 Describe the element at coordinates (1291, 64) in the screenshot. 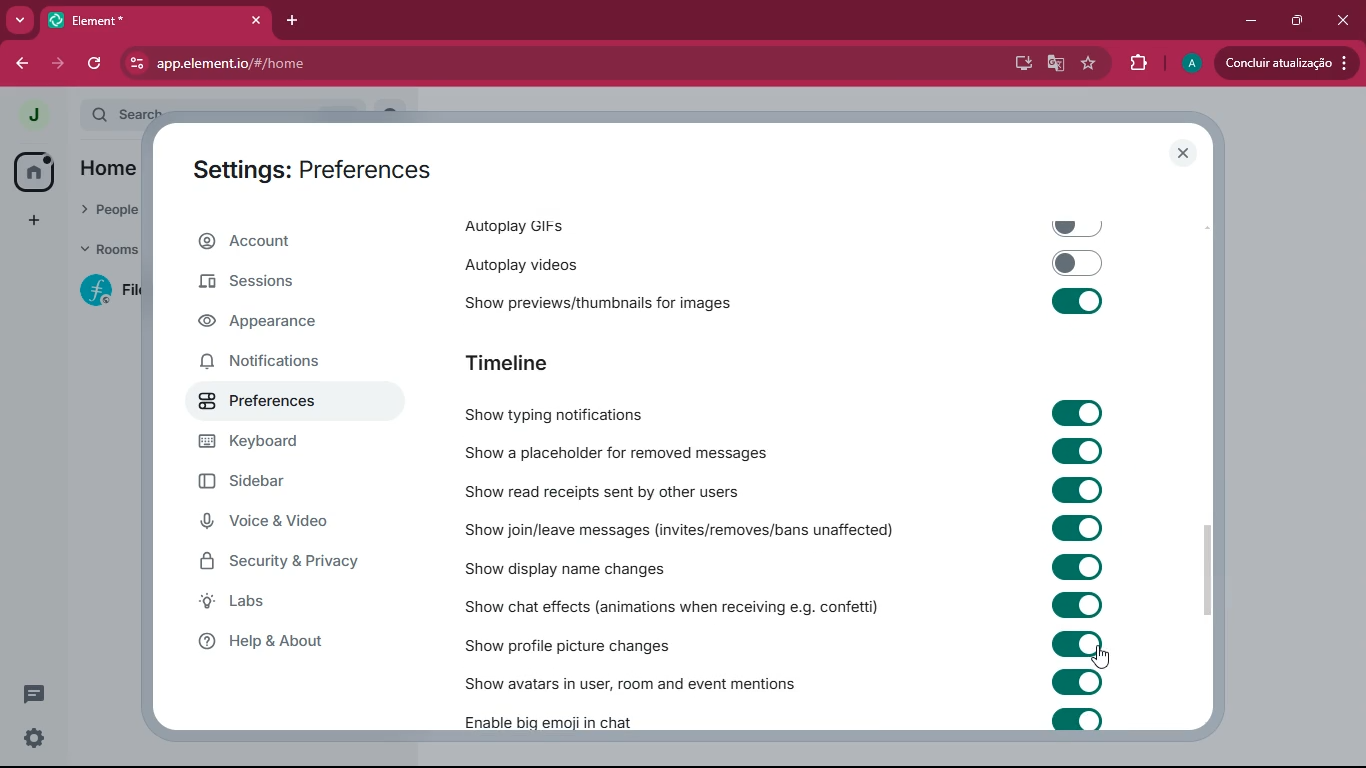

I see `update` at that location.